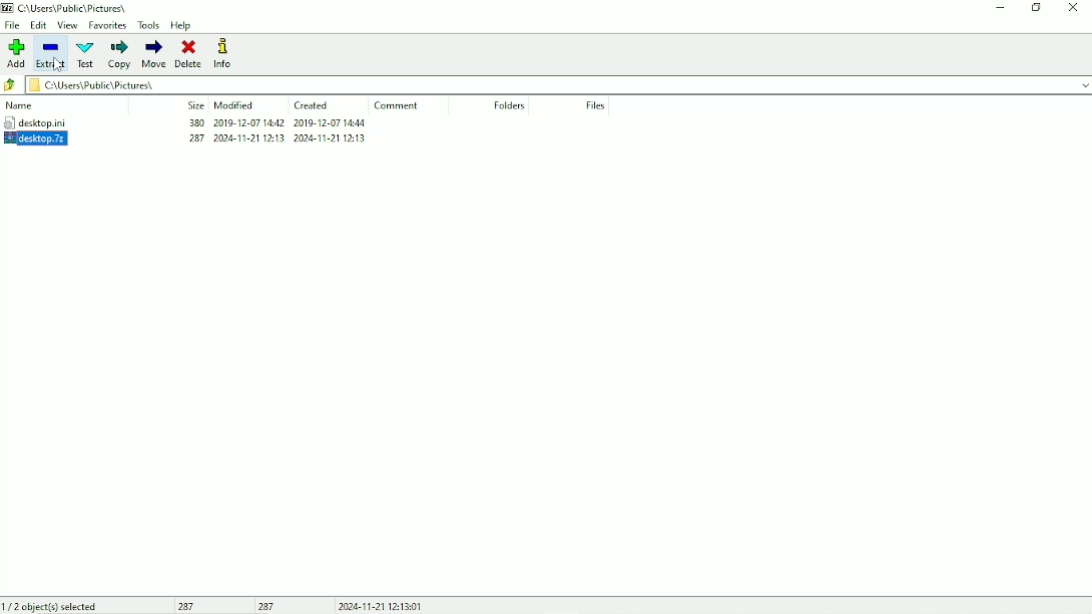  Describe the element at coordinates (225, 53) in the screenshot. I see `Info` at that location.